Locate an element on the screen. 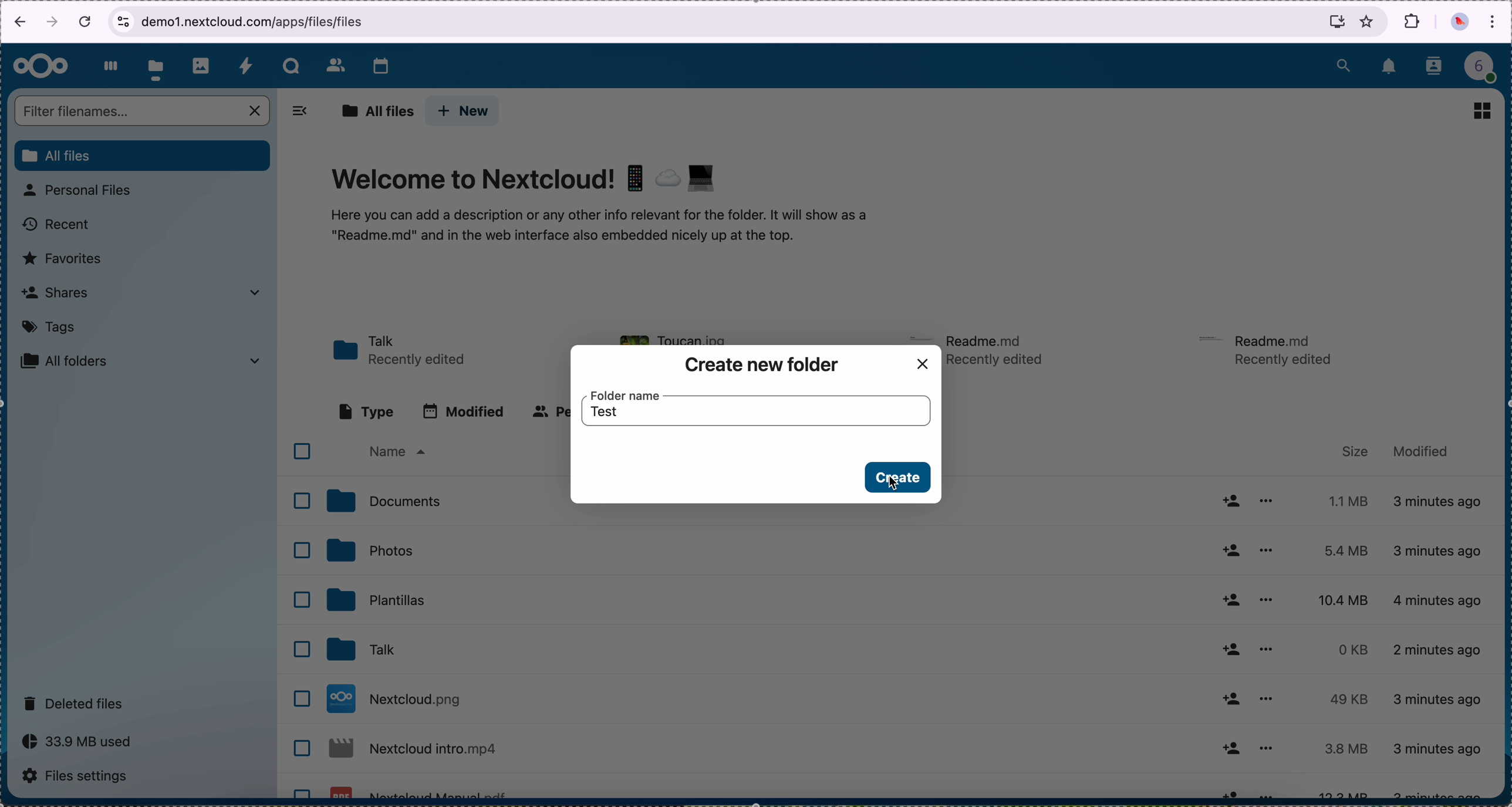 This screenshot has width=1512, height=807. 12.2 MB is located at coordinates (1338, 792).